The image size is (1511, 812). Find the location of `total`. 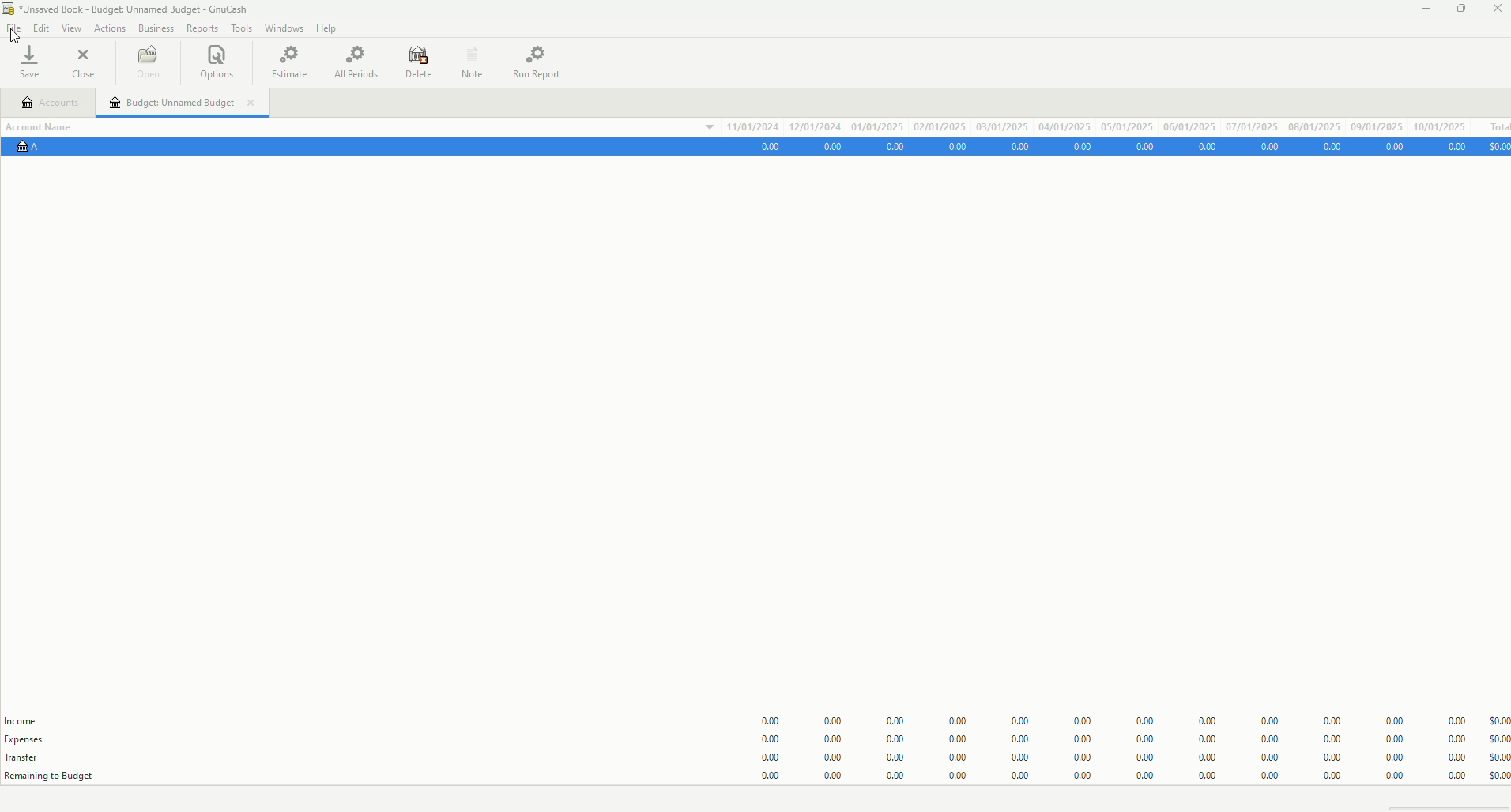

total is located at coordinates (1494, 124).